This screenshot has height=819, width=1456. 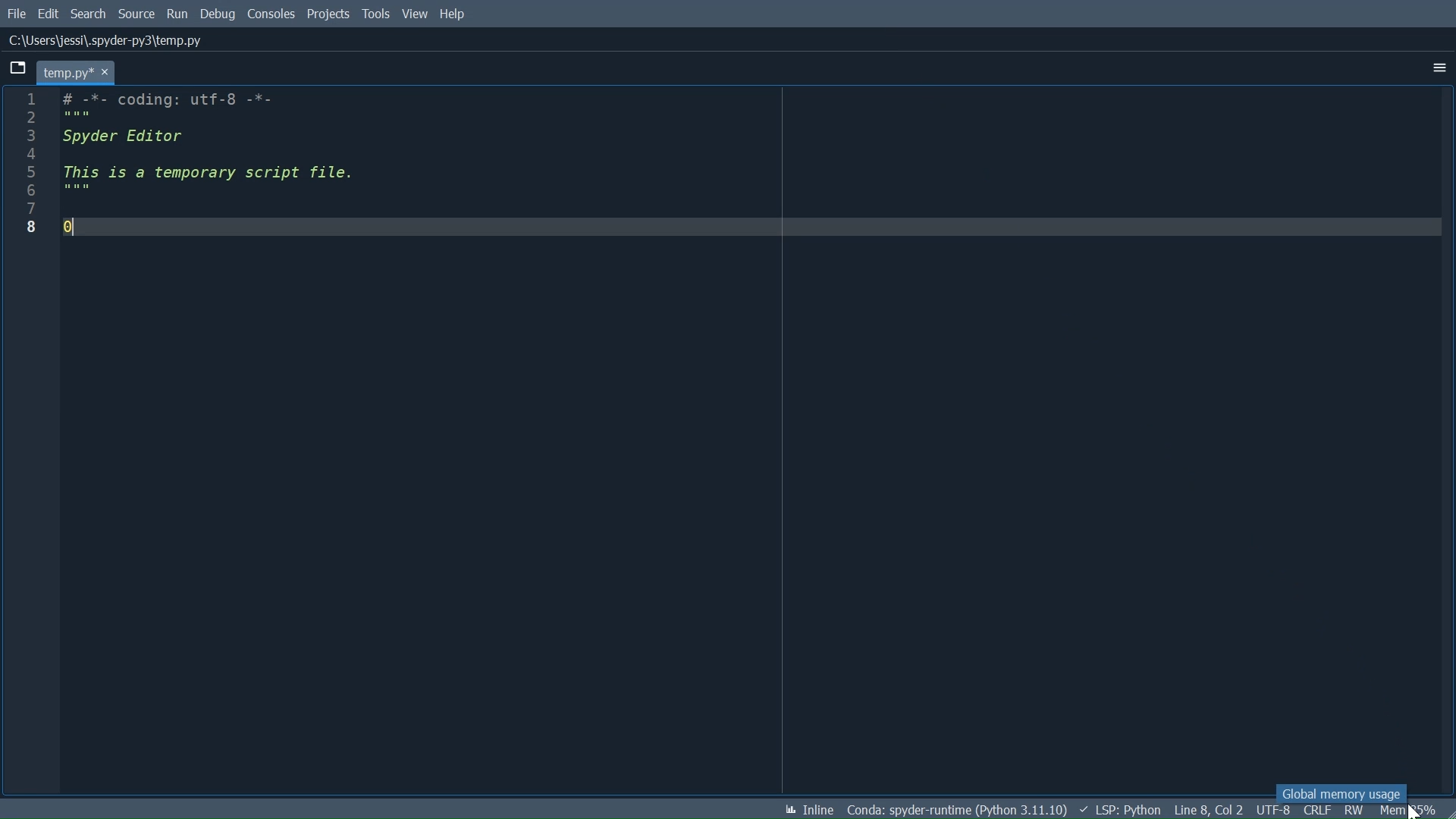 I want to click on Search, so click(x=89, y=14).